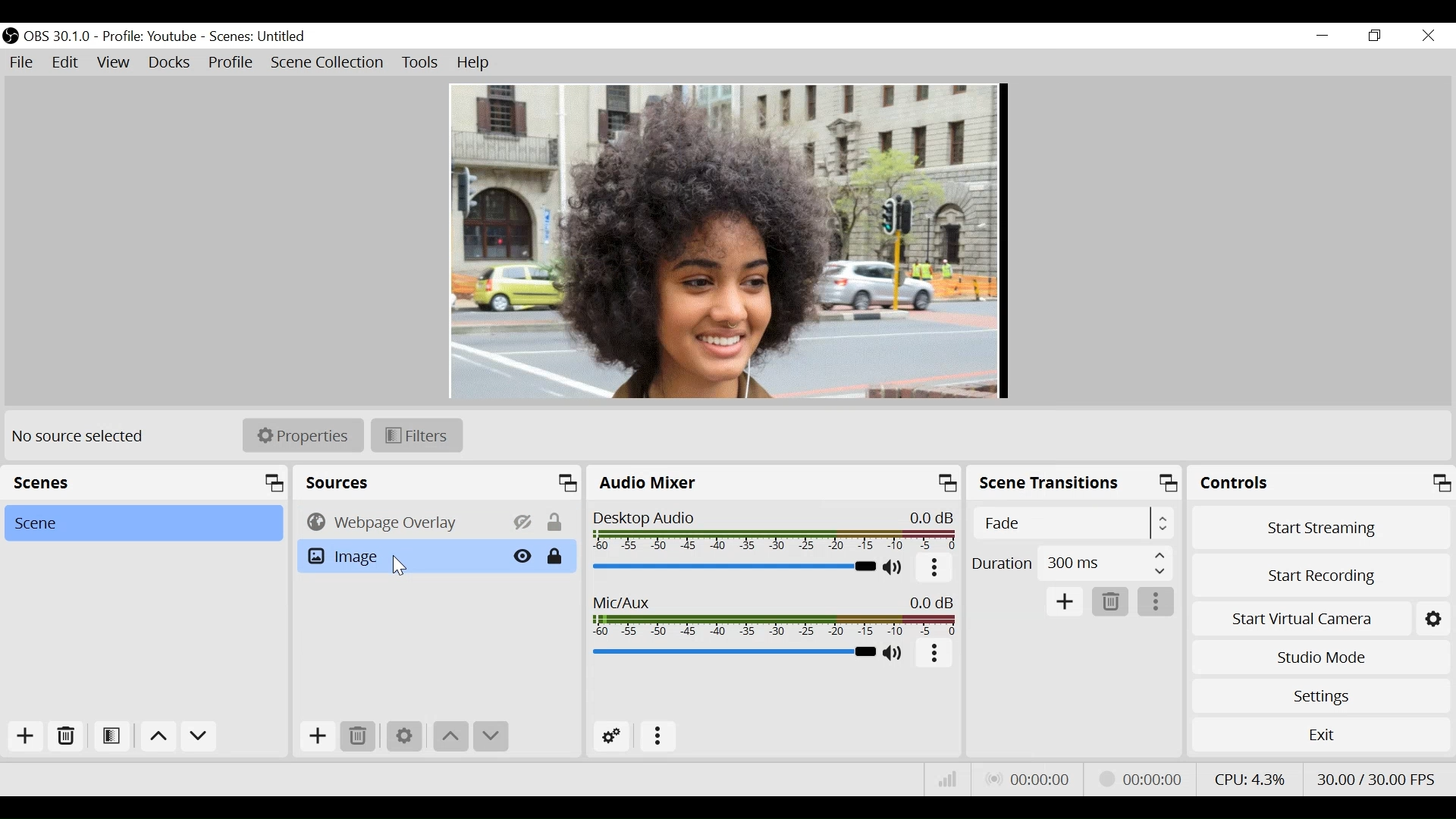 Image resolution: width=1456 pixels, height=819 pixels. Describe the element at coordinates (10, 36) in the screenshot. I see `OBS Studio Desktop Icon` at that location.